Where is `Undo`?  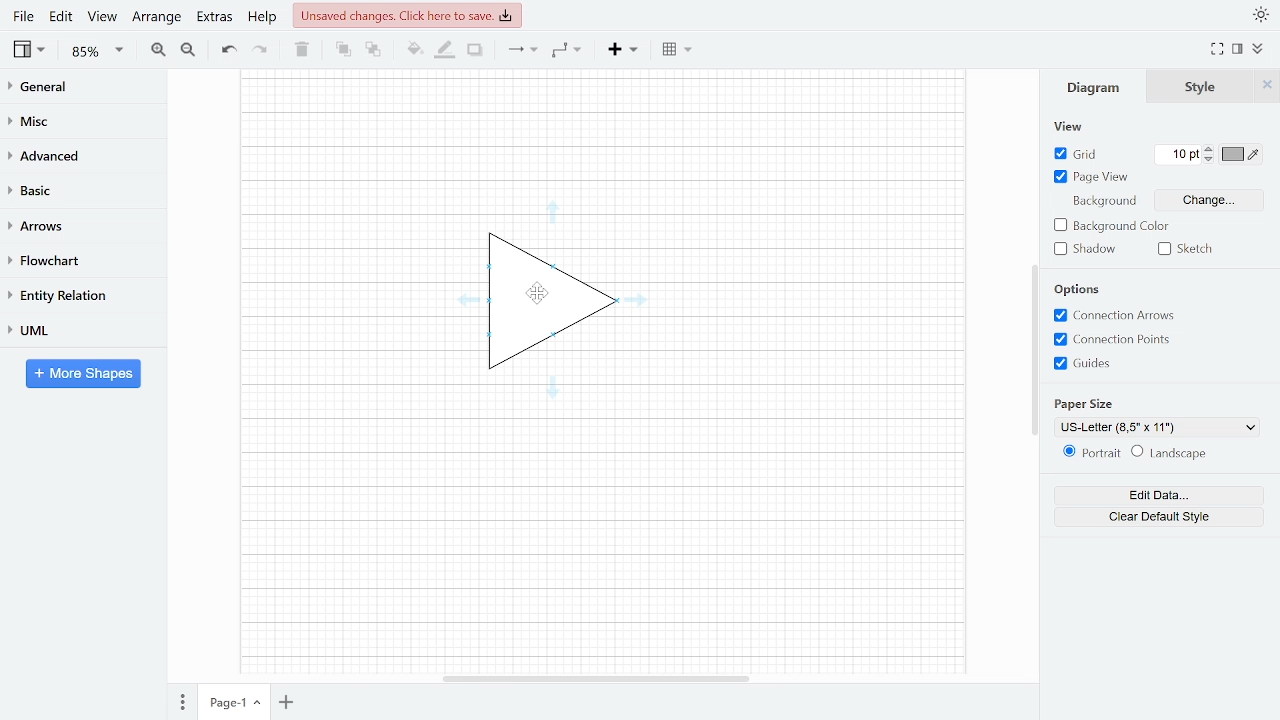 Undo is located at coordinates (228, 50).